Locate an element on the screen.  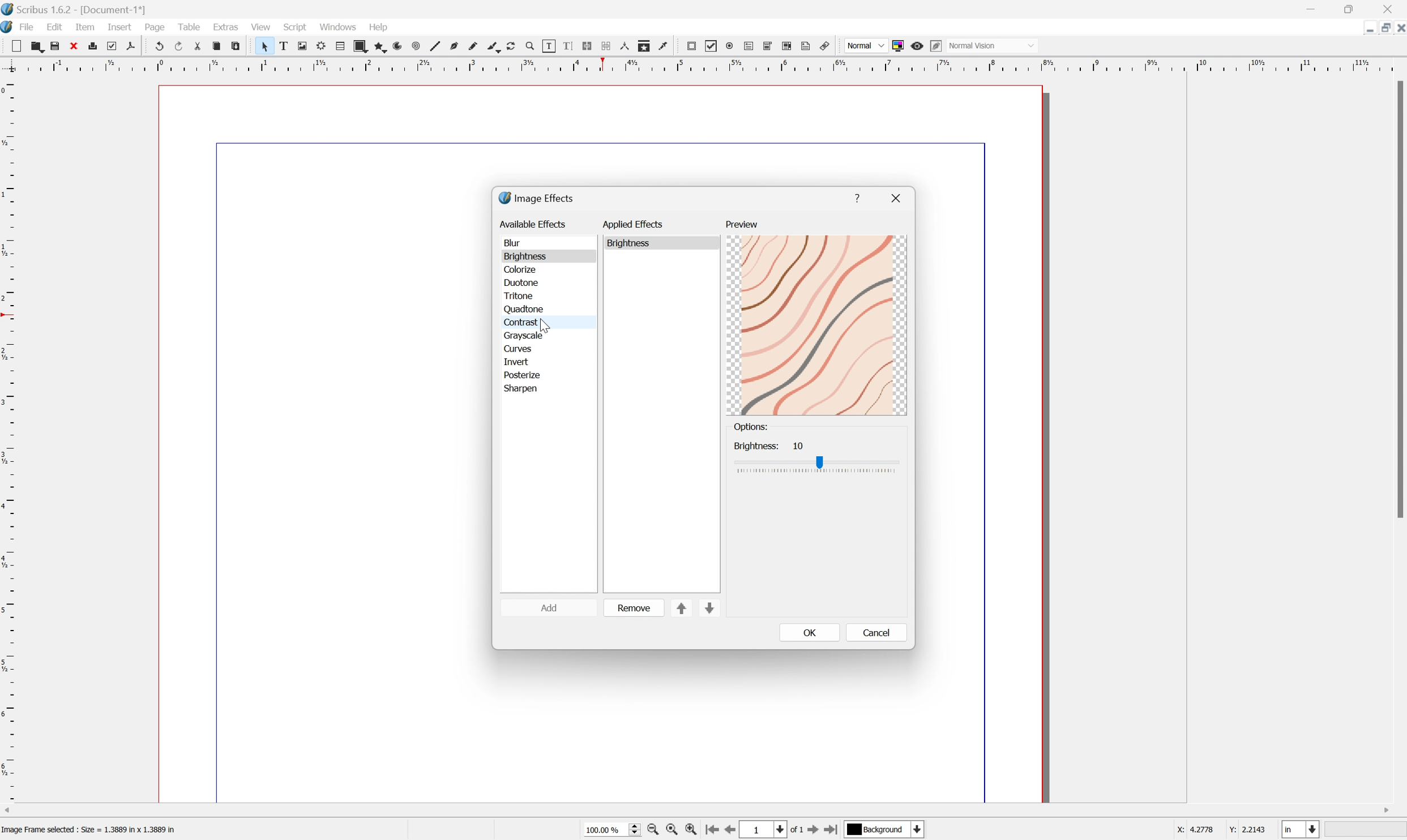
Redo is located at coordinates (177, 45).